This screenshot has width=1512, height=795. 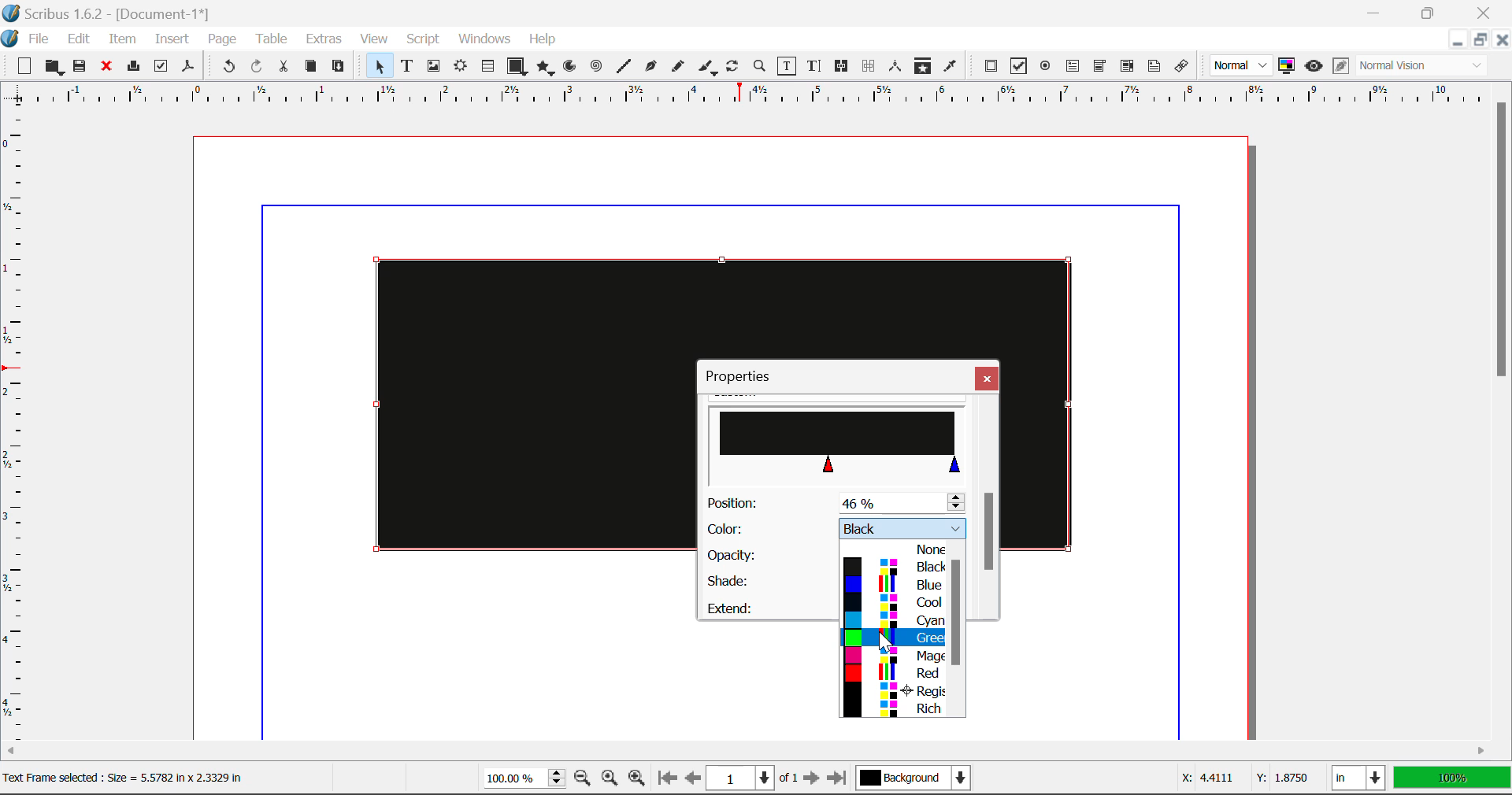 I want to click on Green, so click(x=894, y=638).